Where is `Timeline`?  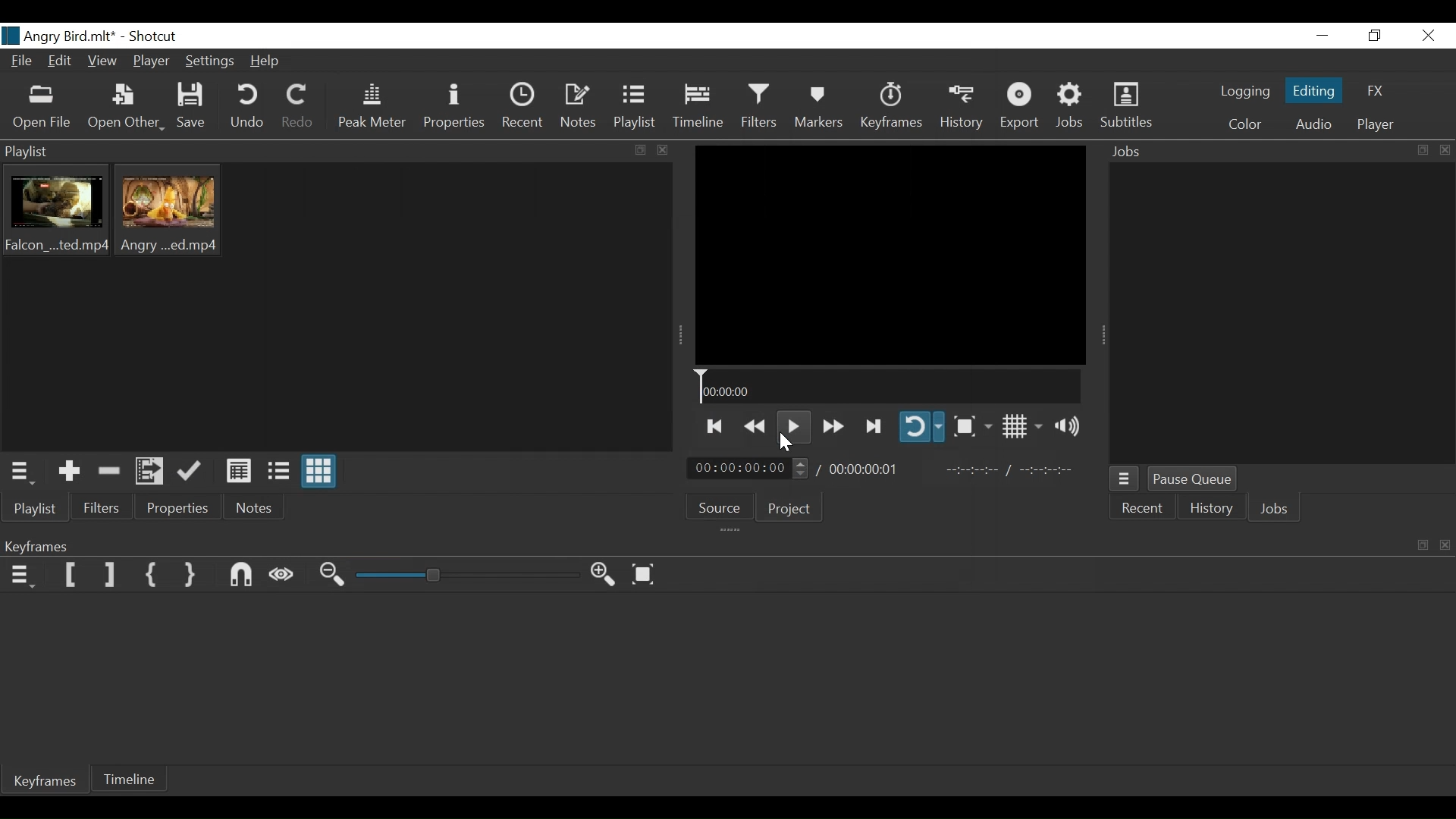 Timeline is located at coordinates (702, 108).